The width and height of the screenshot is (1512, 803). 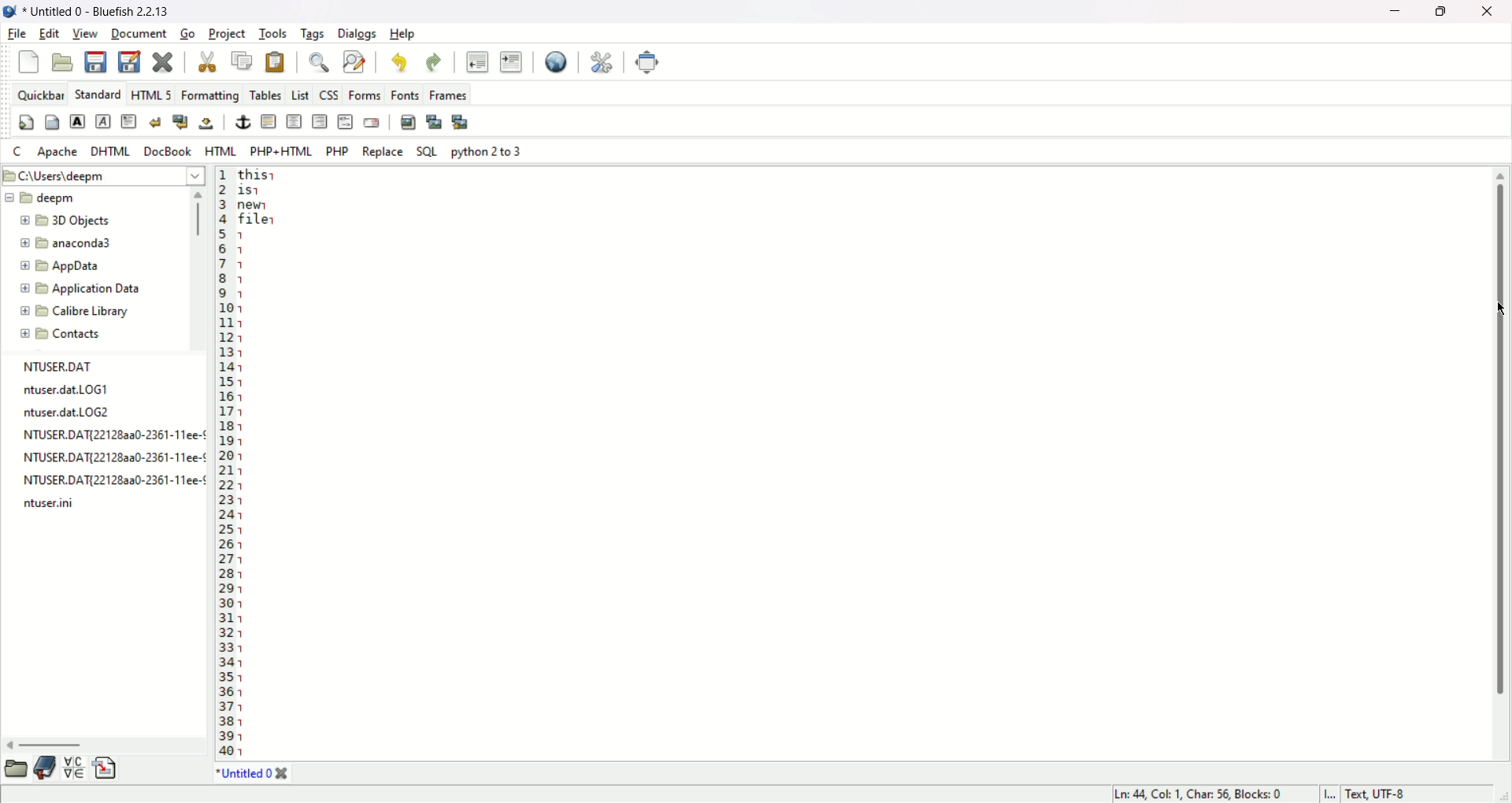 What do you see at coordinates (166, 150) in the screenshot?
I see `DocBook` at bounding box center [166, 150].